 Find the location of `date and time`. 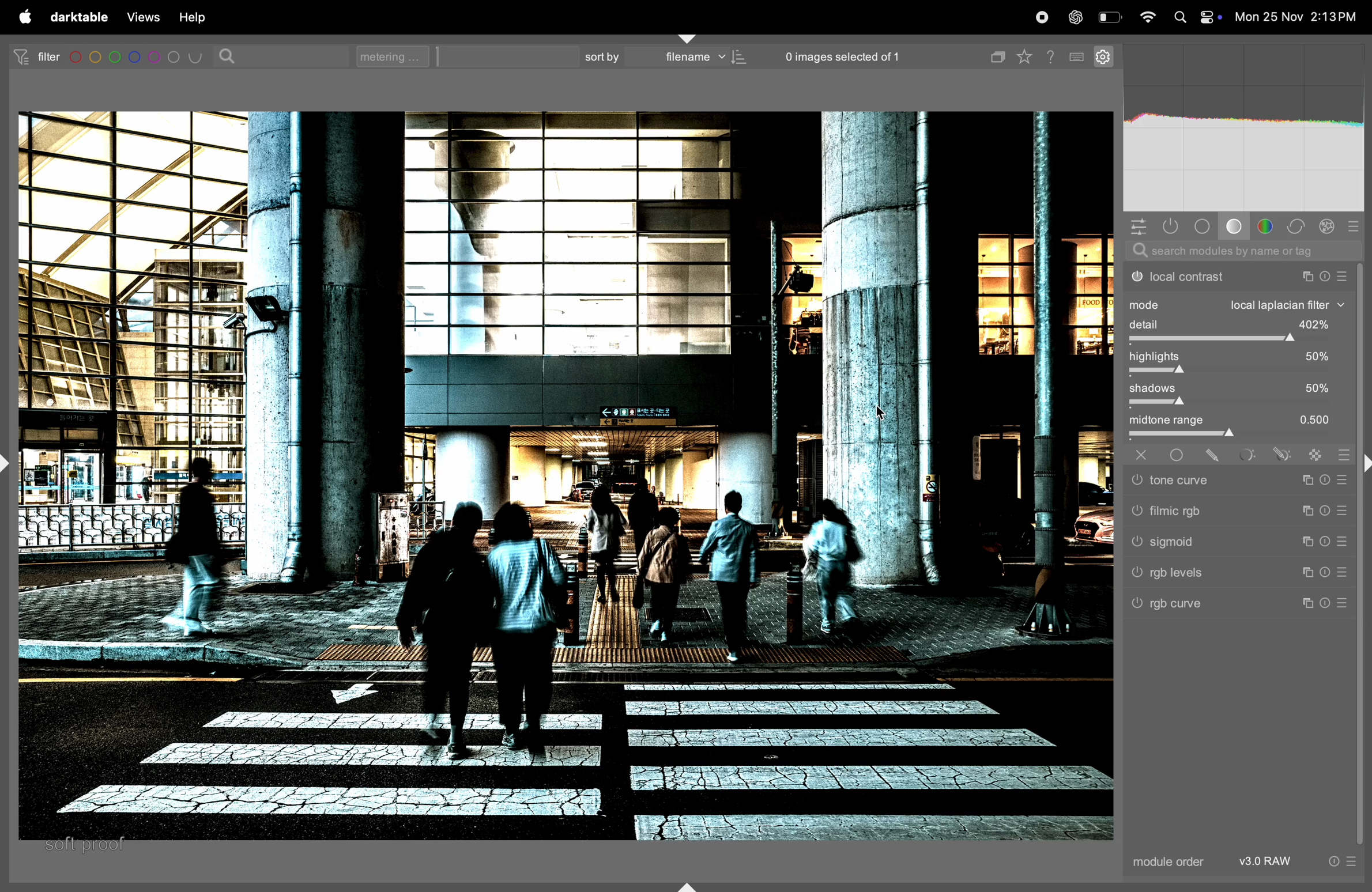

date and time is located at coordinates (1298, 17).